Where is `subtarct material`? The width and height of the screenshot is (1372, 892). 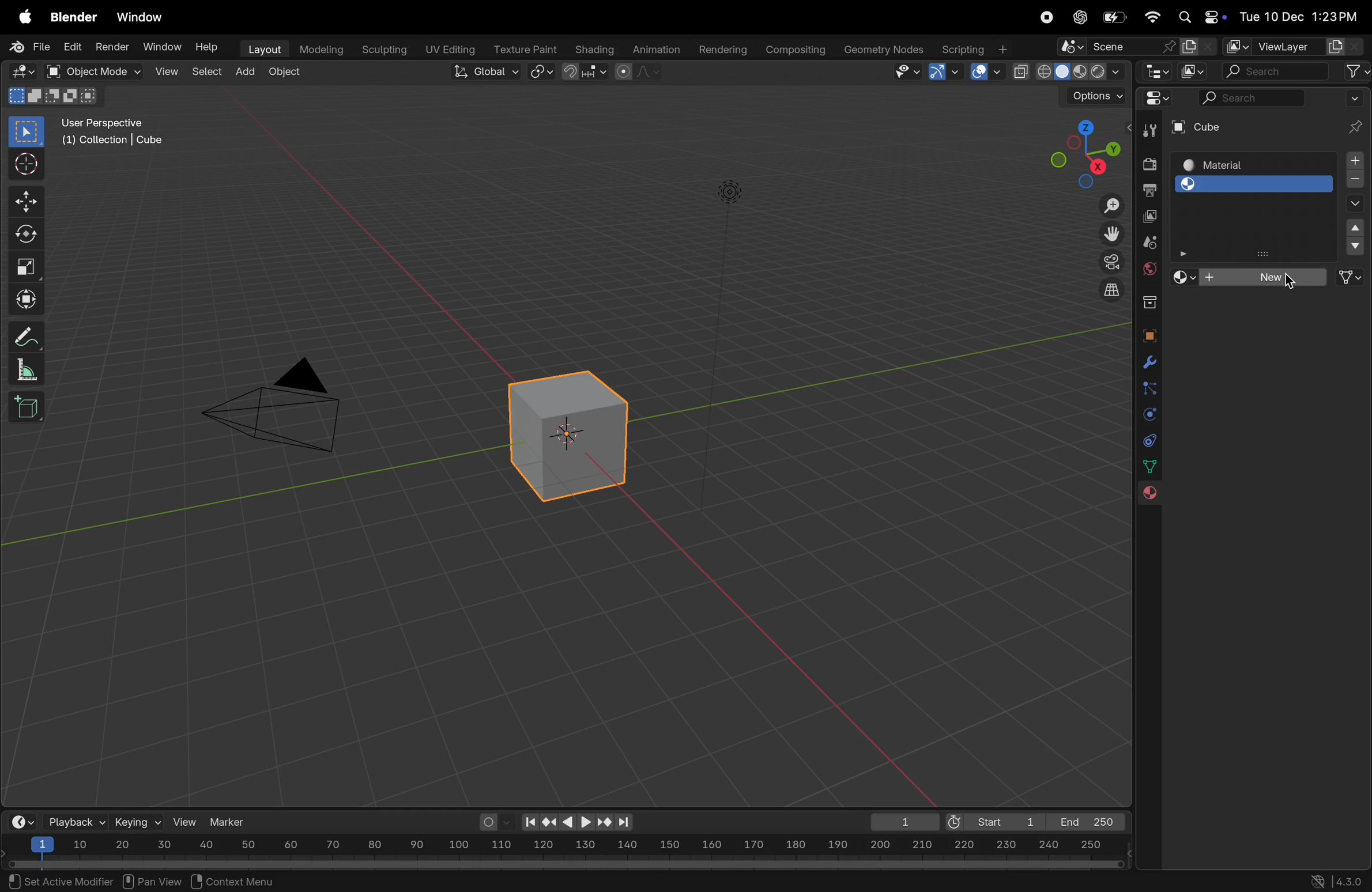 subtarct material is located at coordinates (1352, 182).